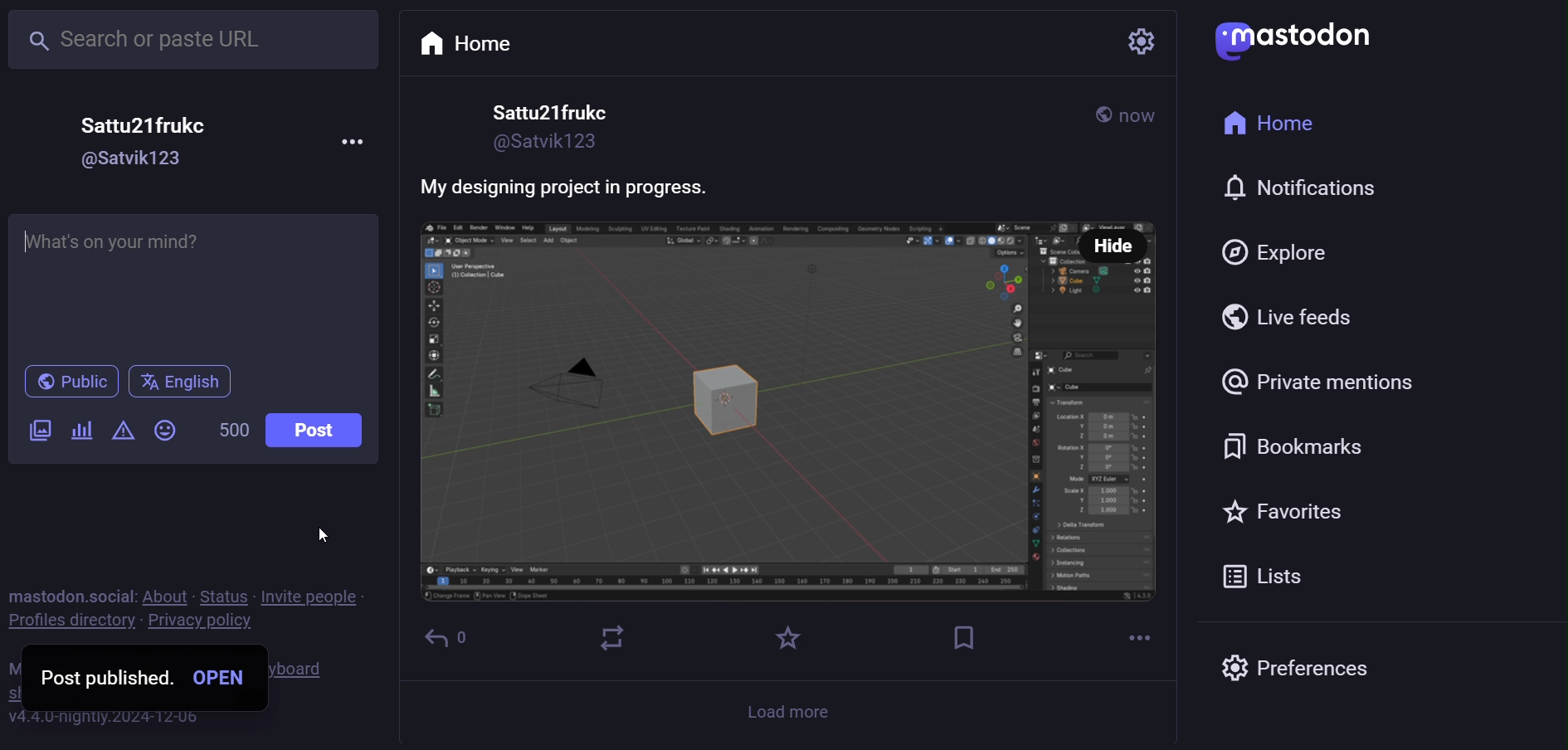 This screenshot has height=750, width=1568. What do you see at coordinates (551, 148) in the screenshot?
I see `id` at bounding box center [551, 148].